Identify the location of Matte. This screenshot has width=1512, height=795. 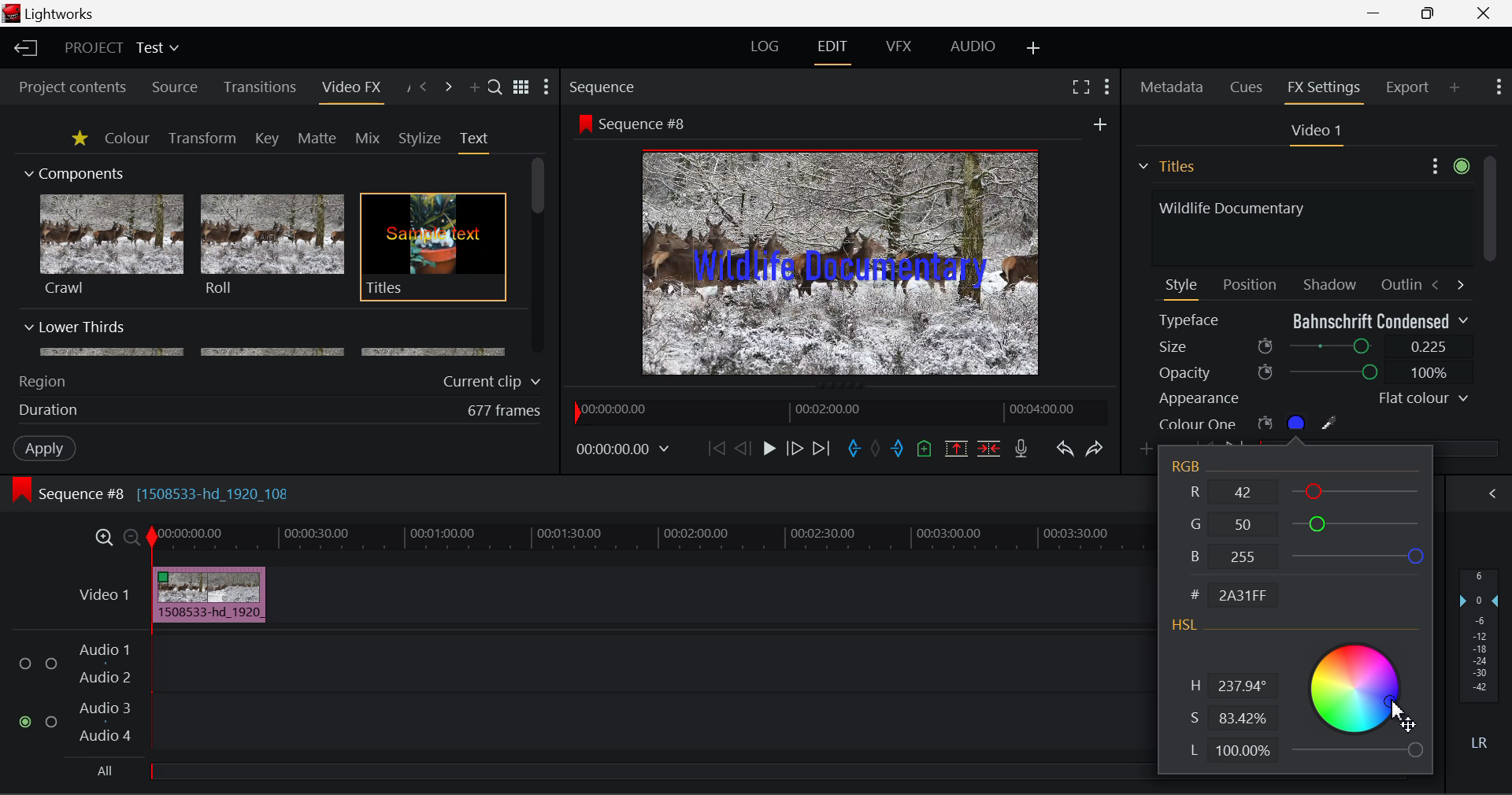
(316, 138).